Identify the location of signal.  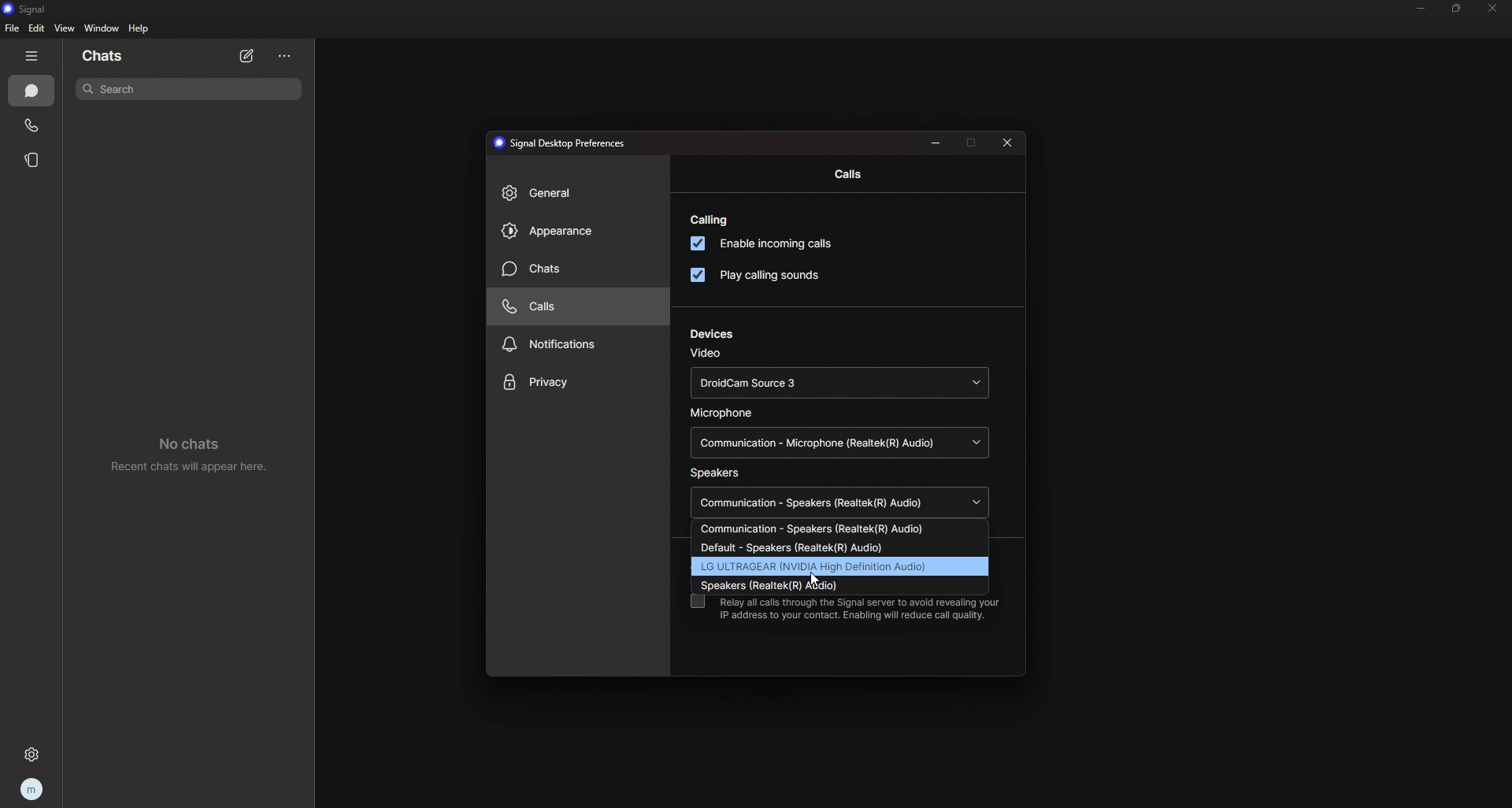
(31, 9).